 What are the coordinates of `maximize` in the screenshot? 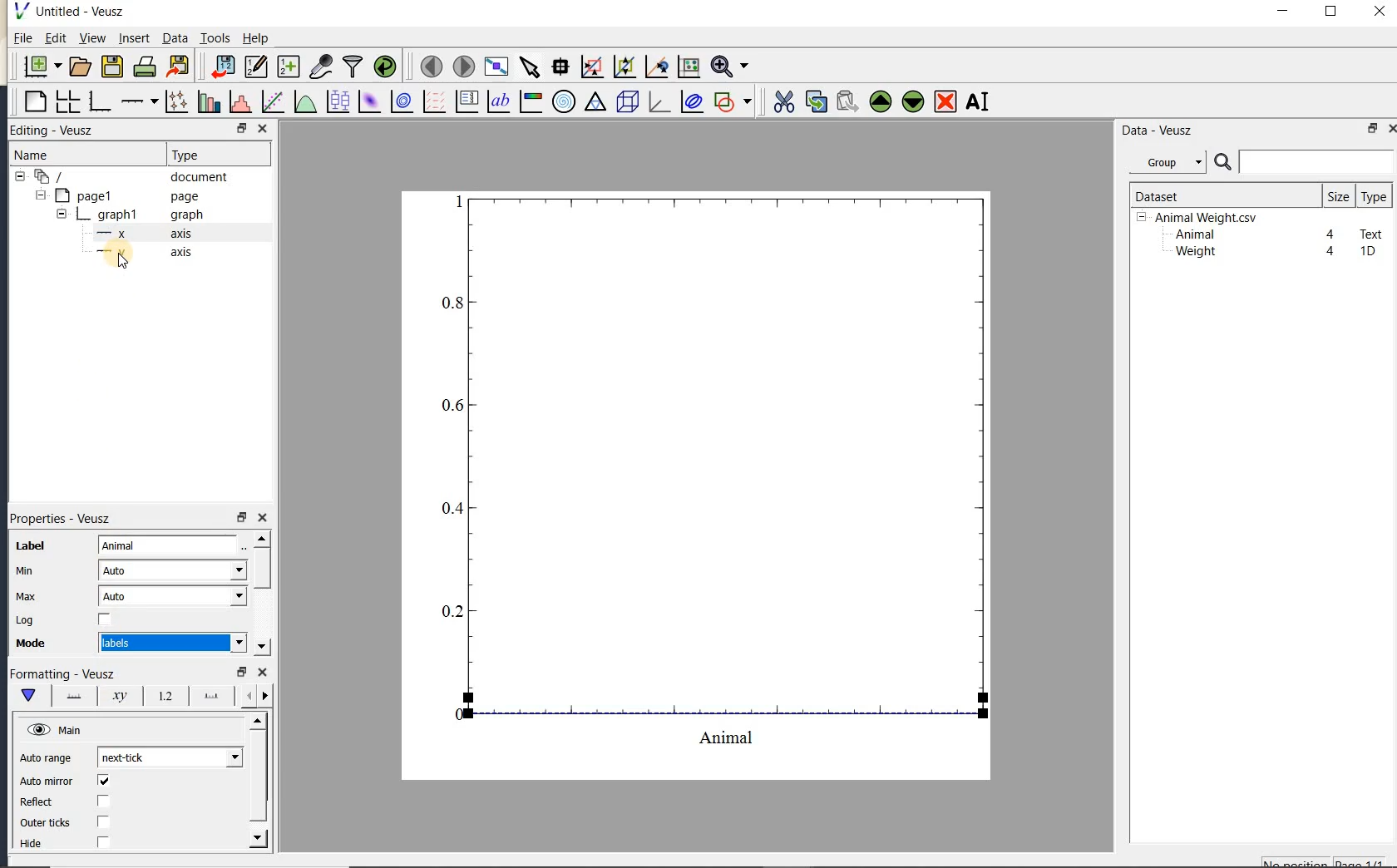 It's located at (1331, 12).